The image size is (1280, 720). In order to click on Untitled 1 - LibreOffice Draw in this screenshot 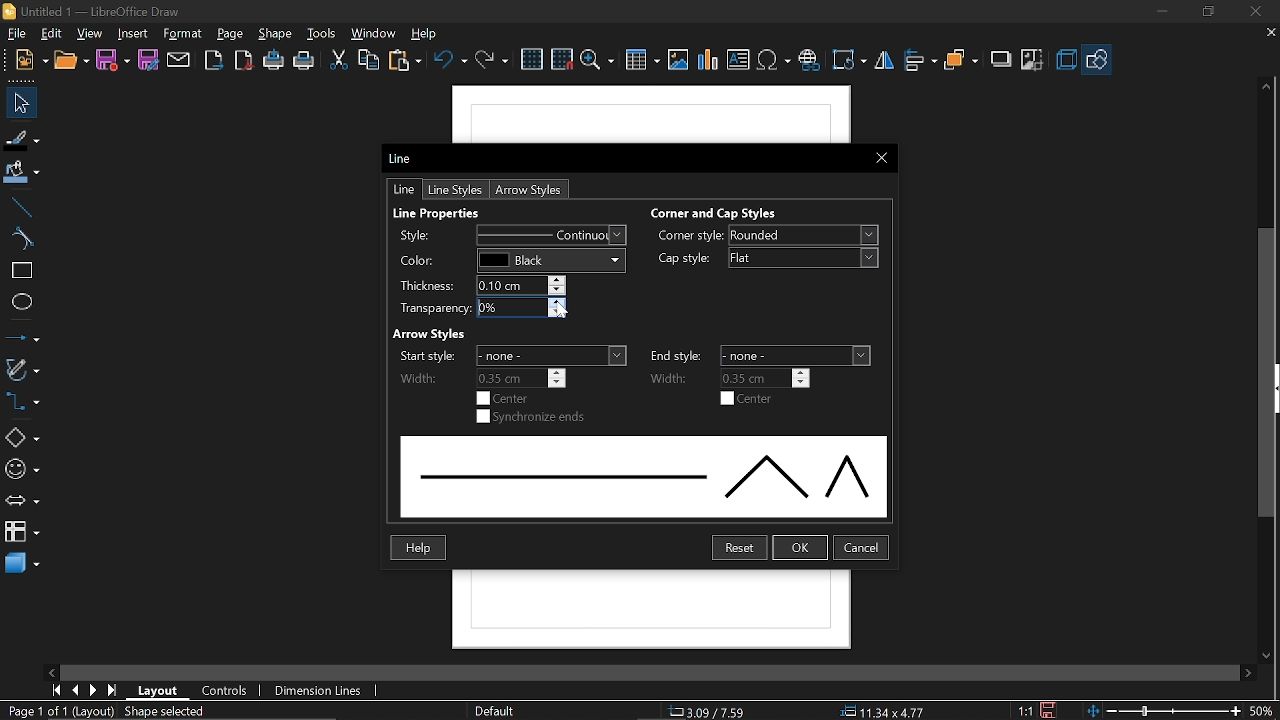, I will do `click(97, 11)`.